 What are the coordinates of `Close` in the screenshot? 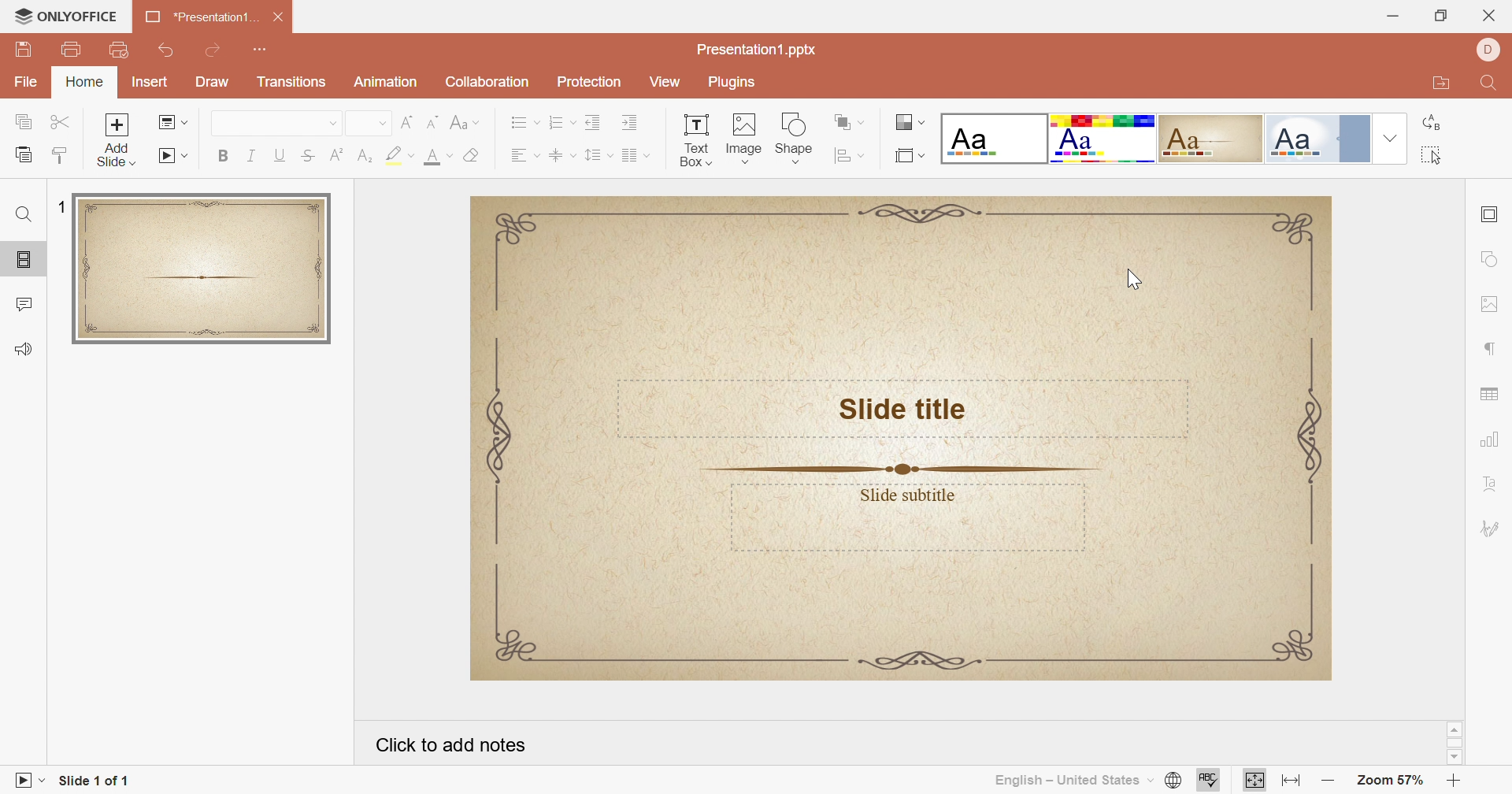 It's located at (1491, 14).